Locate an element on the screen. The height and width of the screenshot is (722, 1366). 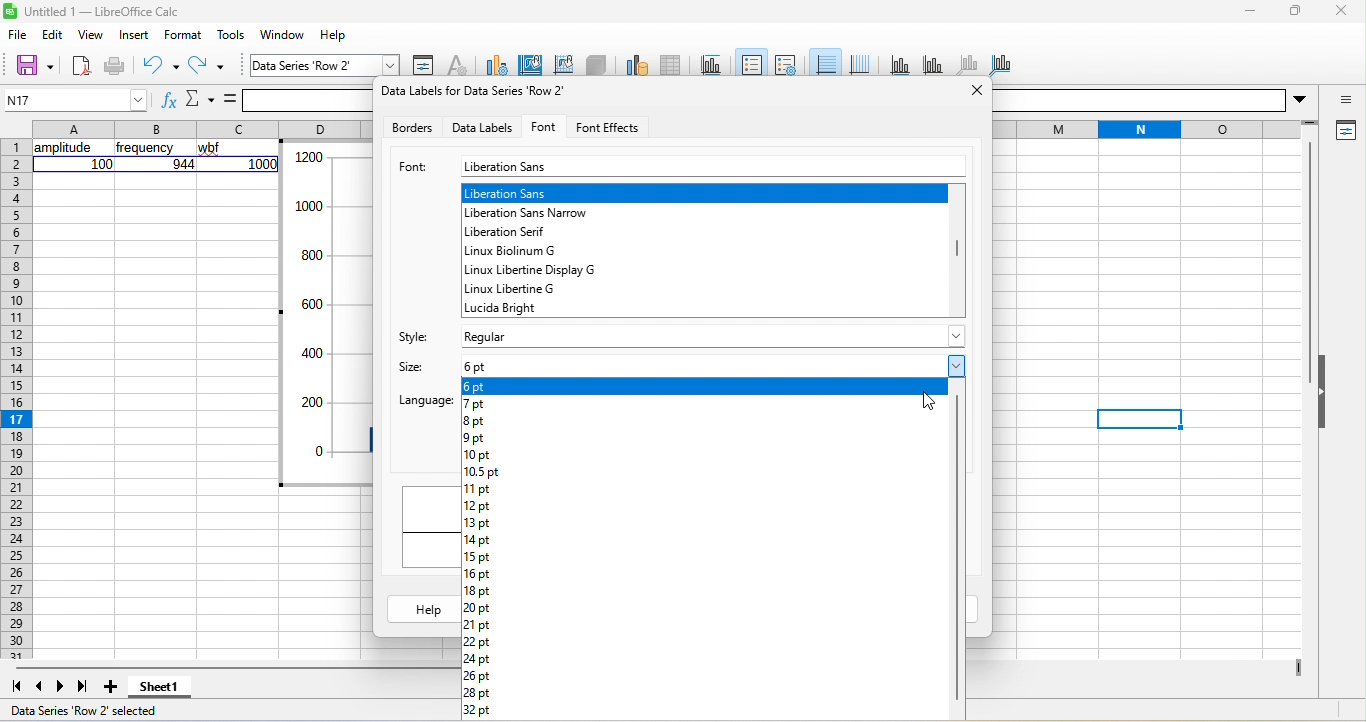
edit is located at coordinates (53, 36).